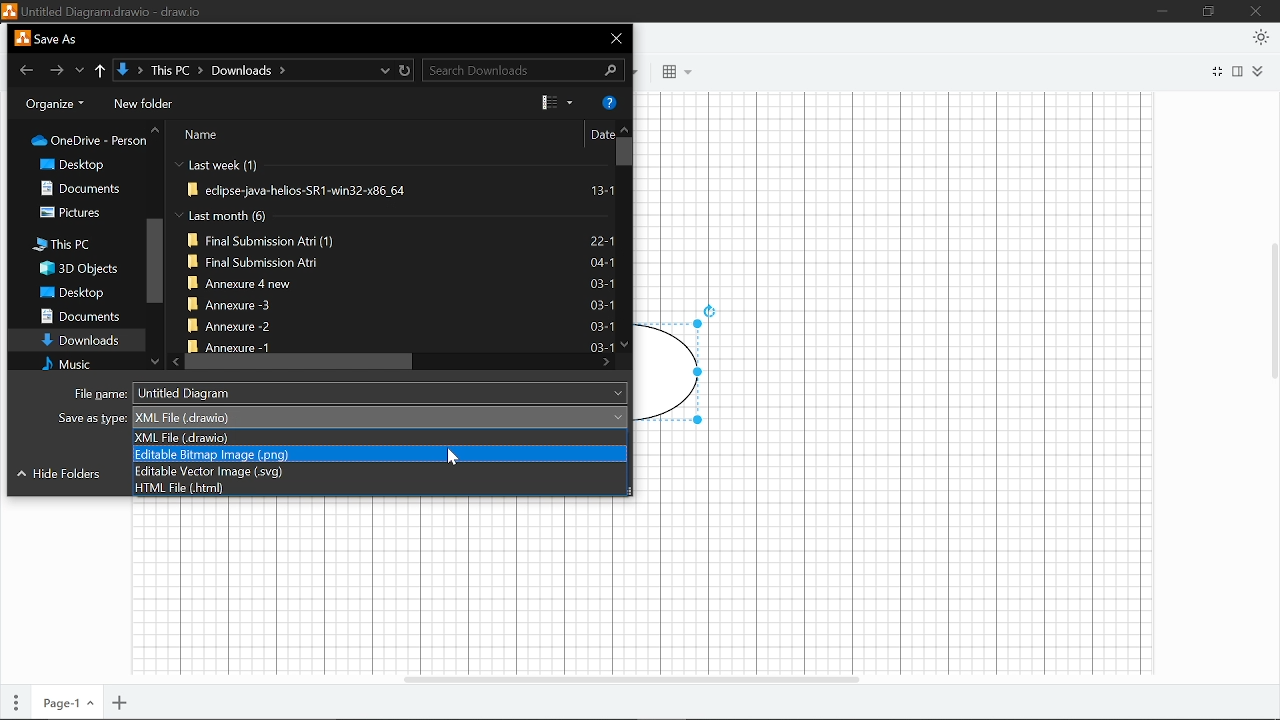  I want to click on New folder, so click(143, 104).